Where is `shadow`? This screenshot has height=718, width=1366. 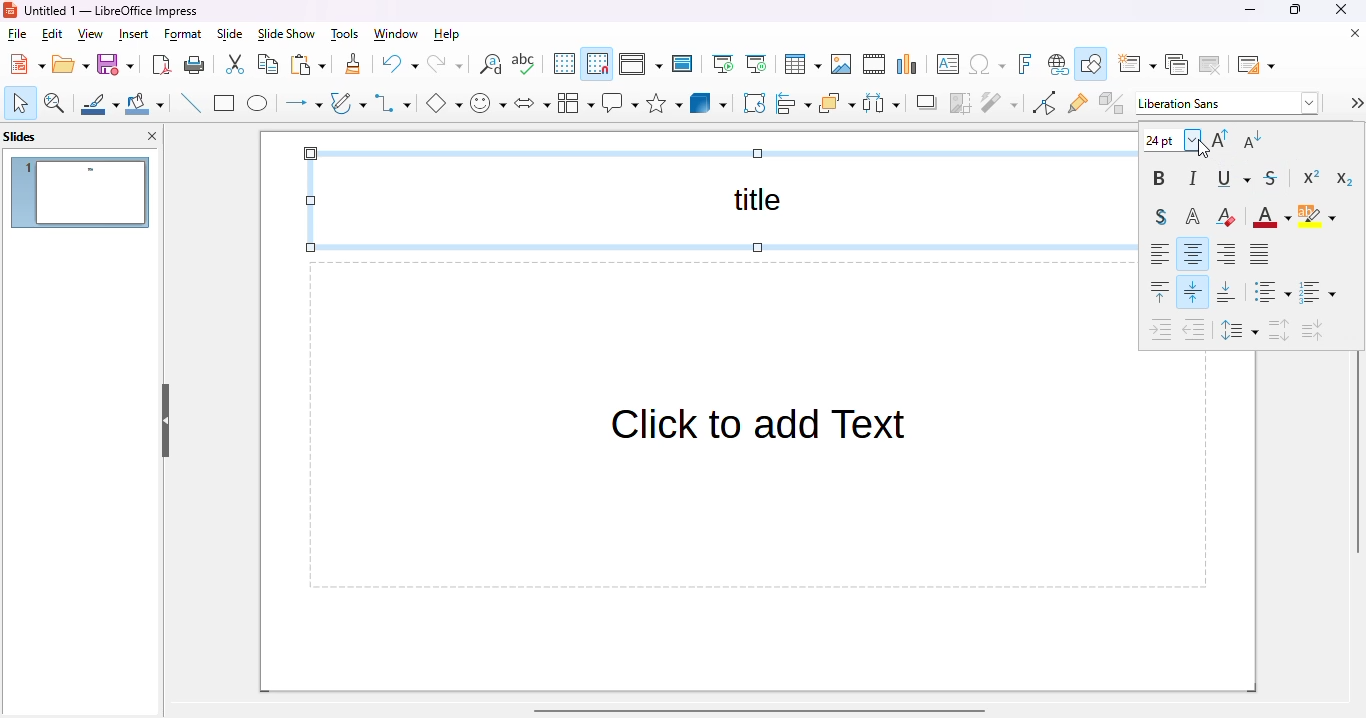 shadow is located at coordinates (925, 103).